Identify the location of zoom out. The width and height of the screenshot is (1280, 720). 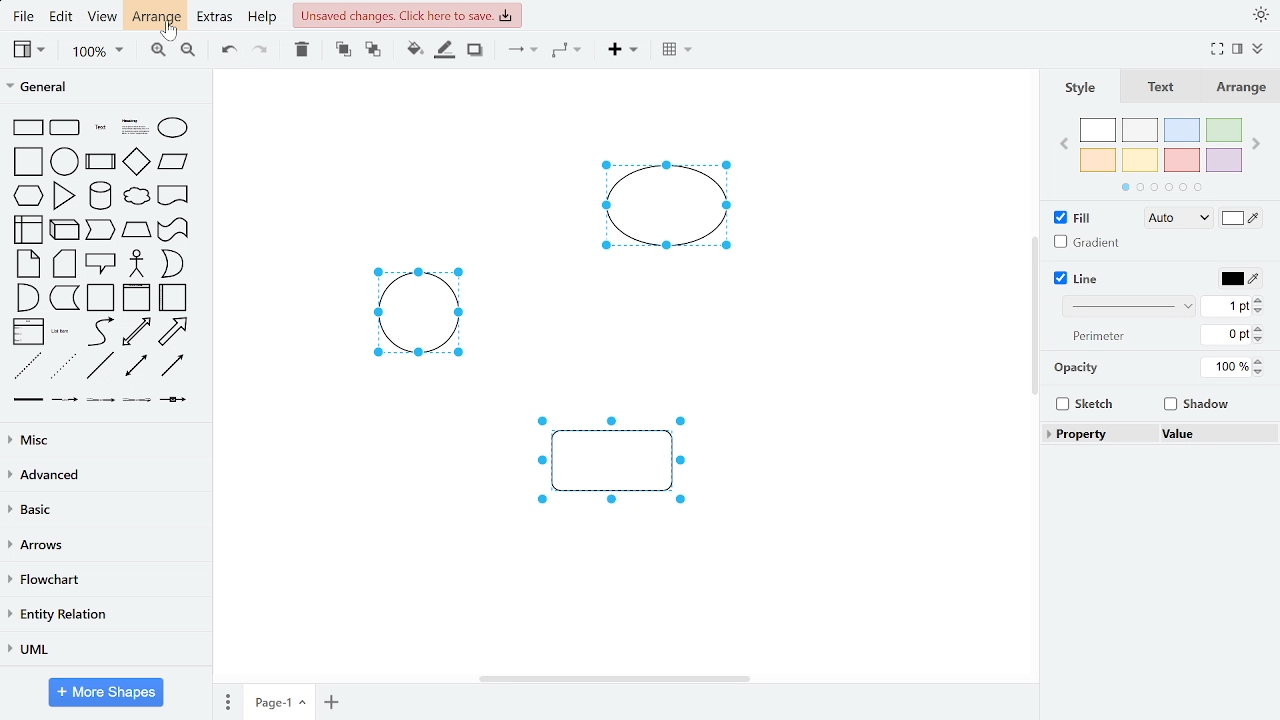
(186, 52).